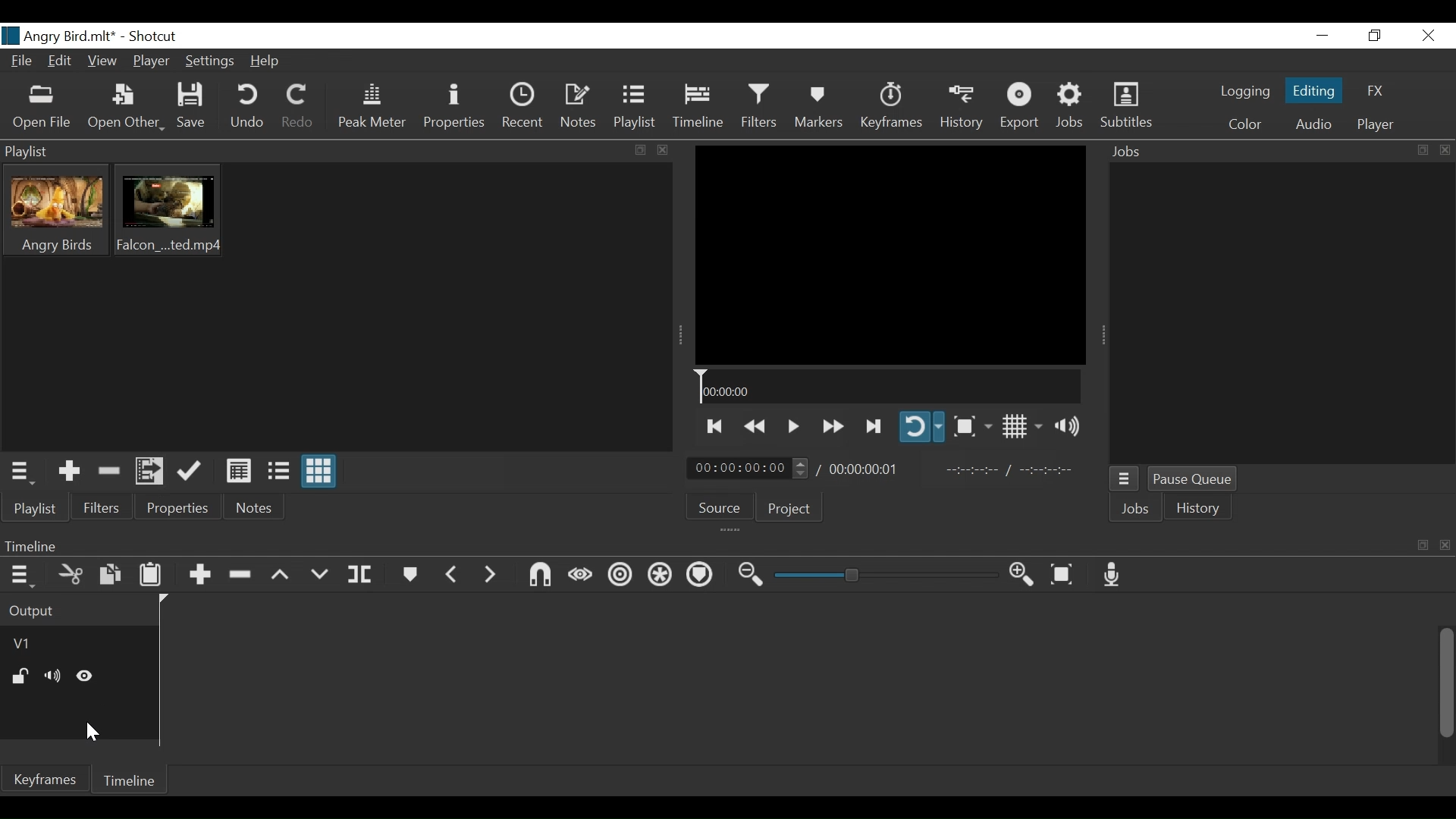 This screenshot has width=1456, height=819. What do you see at coordinates (319, 472) in the screenshot?
I see `View as icons` at bounding box center [319, 472].